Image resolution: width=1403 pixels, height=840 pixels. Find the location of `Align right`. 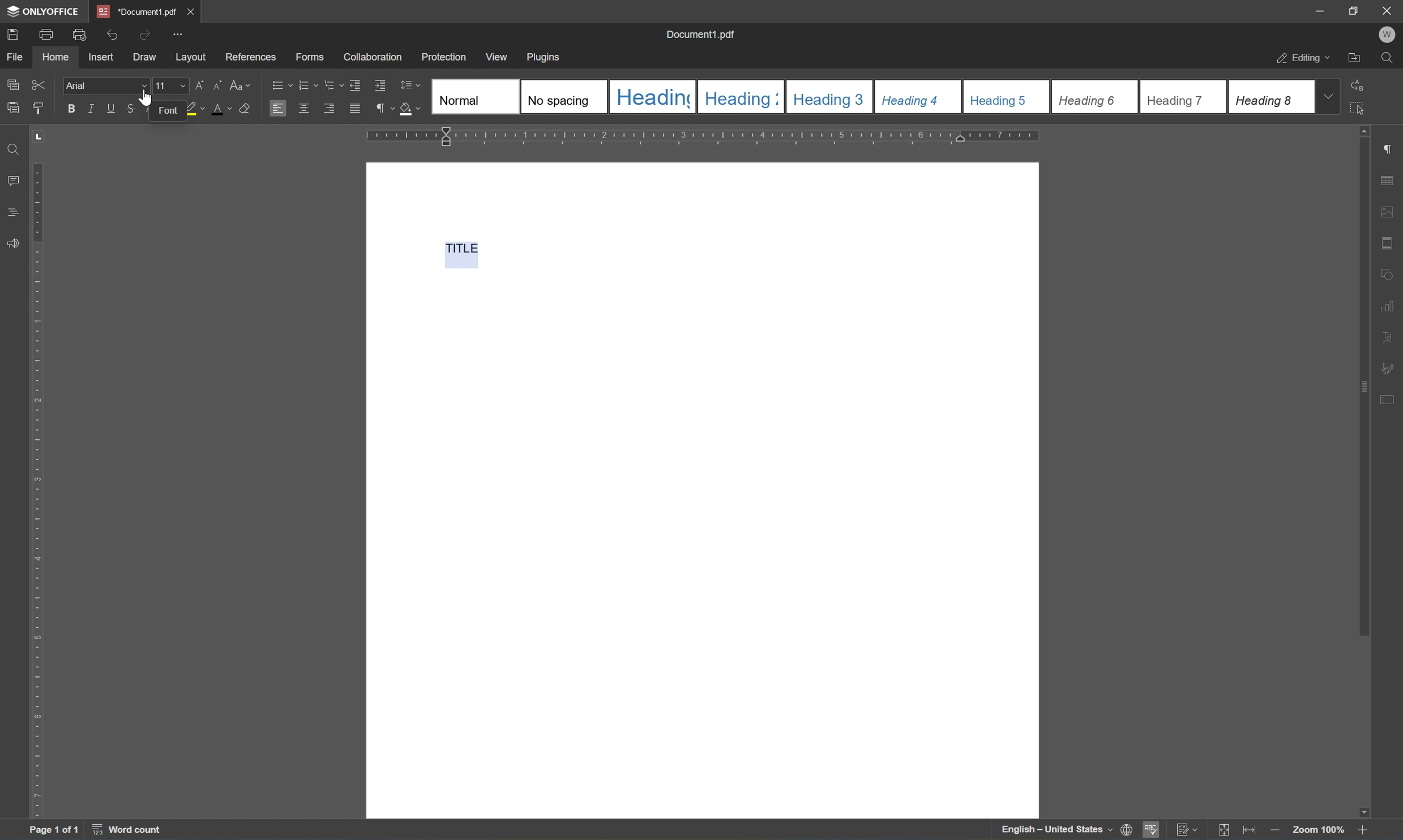

Align right is located at coordinates (328, 109).